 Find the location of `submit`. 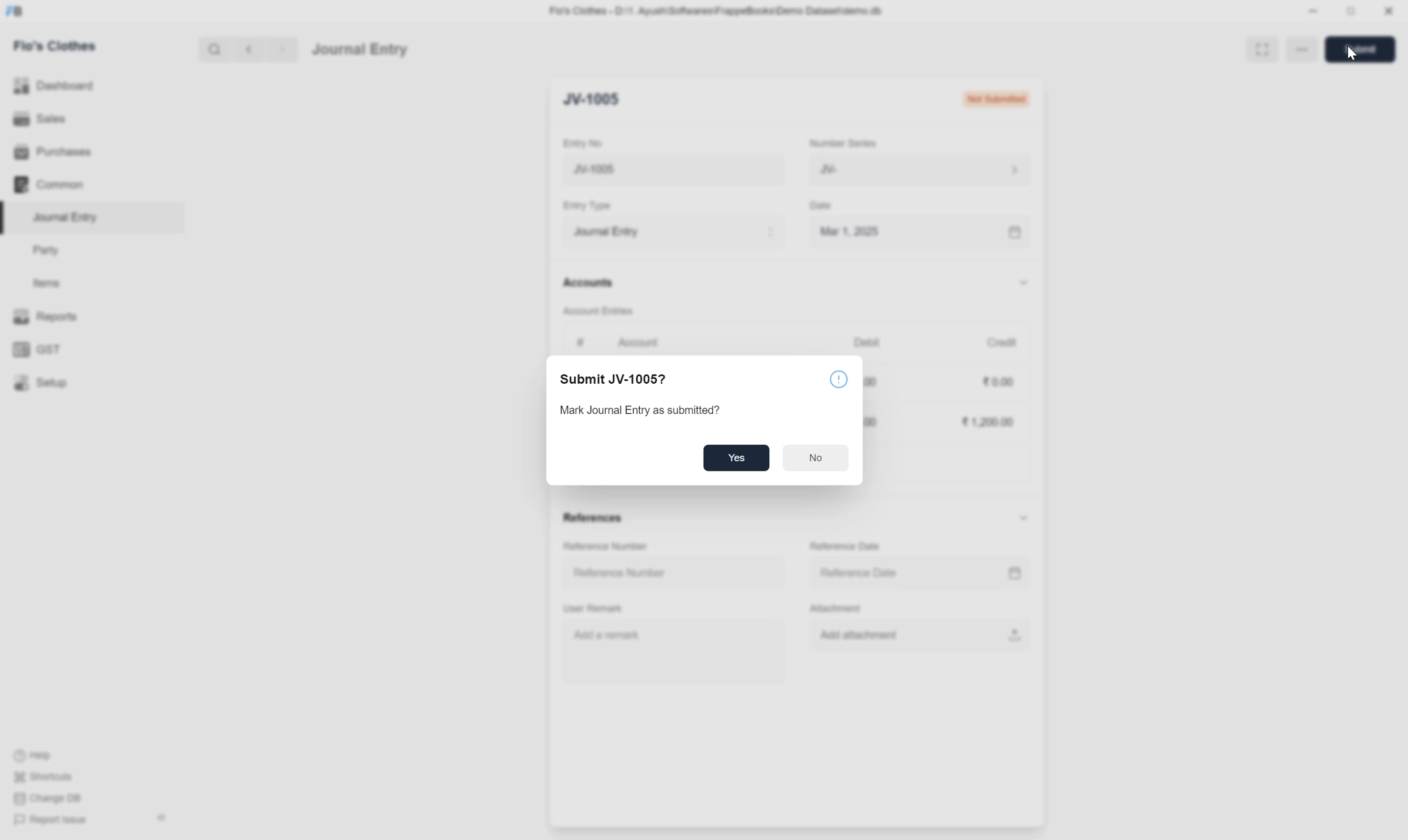

submit is located at coordinates (1365, 50).